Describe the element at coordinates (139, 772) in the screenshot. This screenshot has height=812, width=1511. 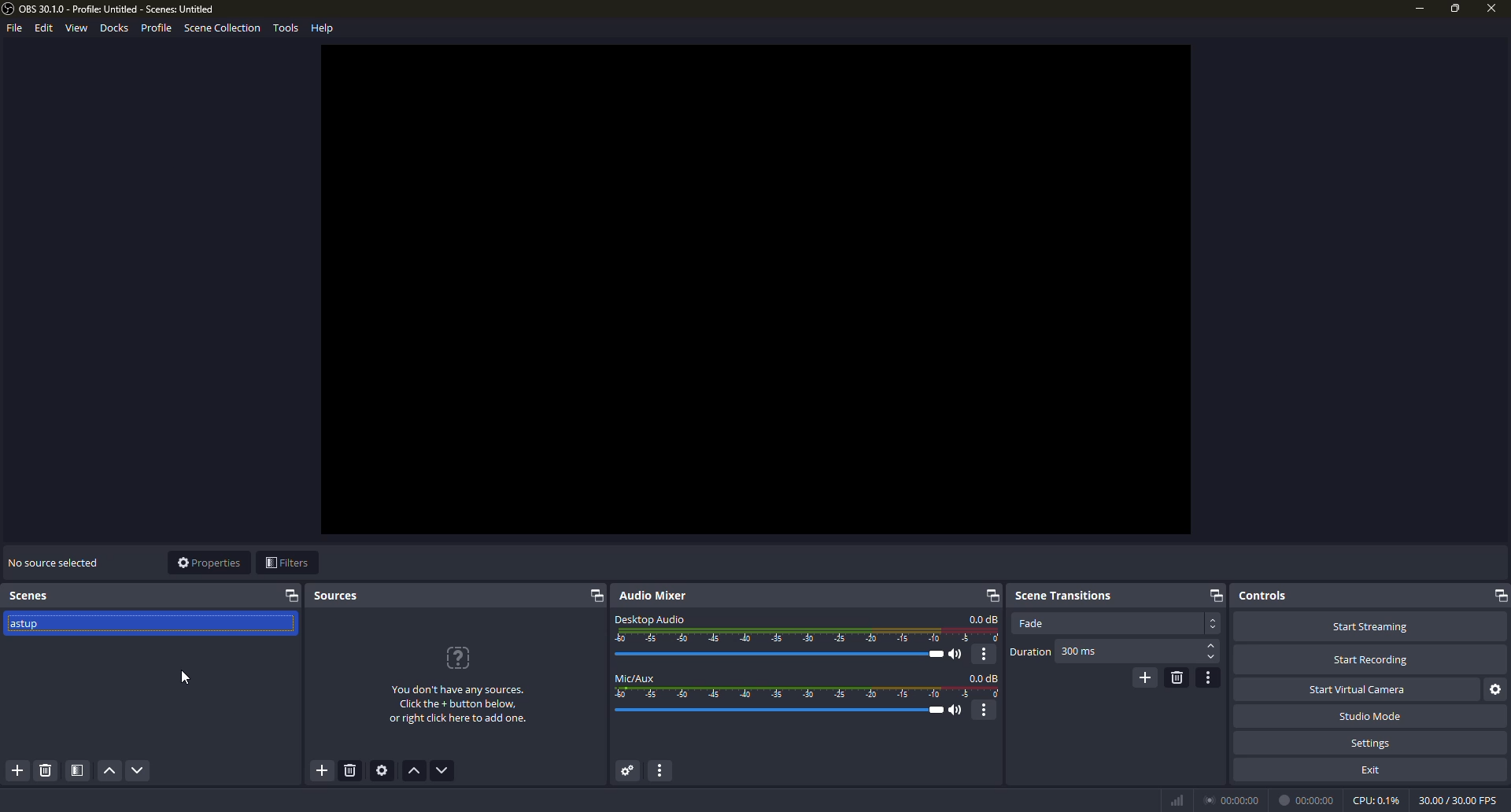
I see `move scene down` at that location.